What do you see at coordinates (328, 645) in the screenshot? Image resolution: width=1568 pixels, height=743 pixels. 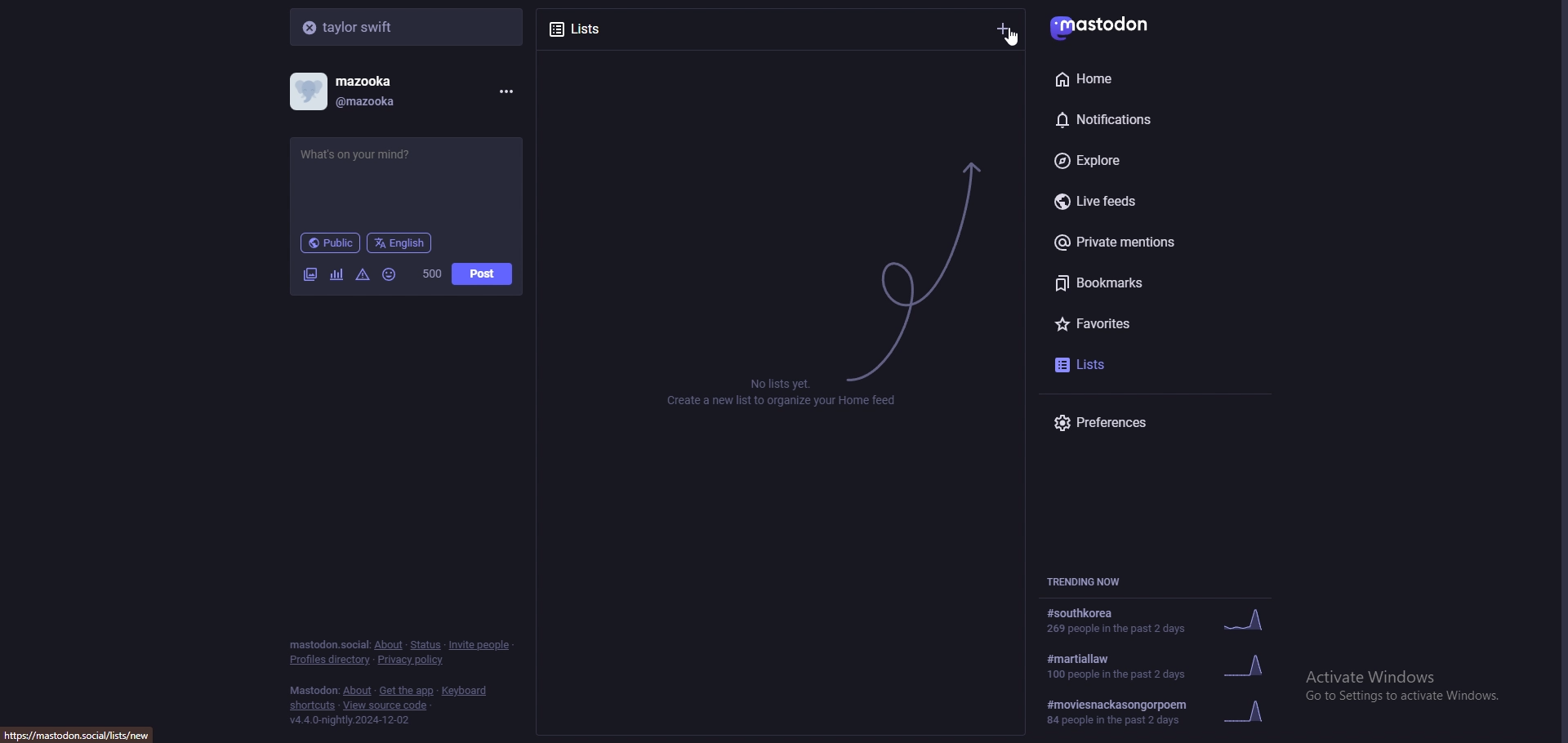 I see `mastodon social` at bounding box center [328, 645].